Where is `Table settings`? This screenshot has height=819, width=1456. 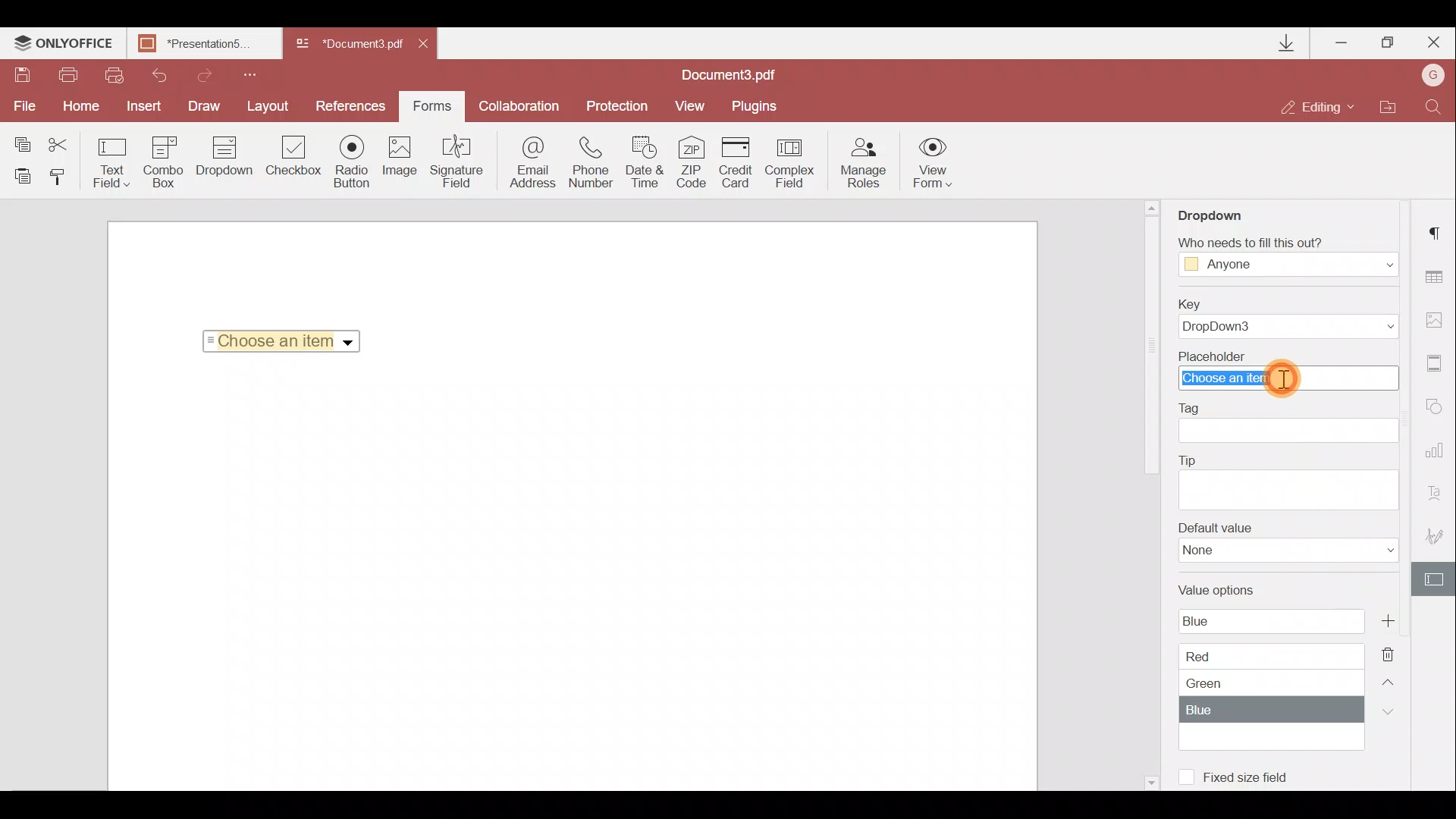
Table settings is located at coordinates (1441, 277).